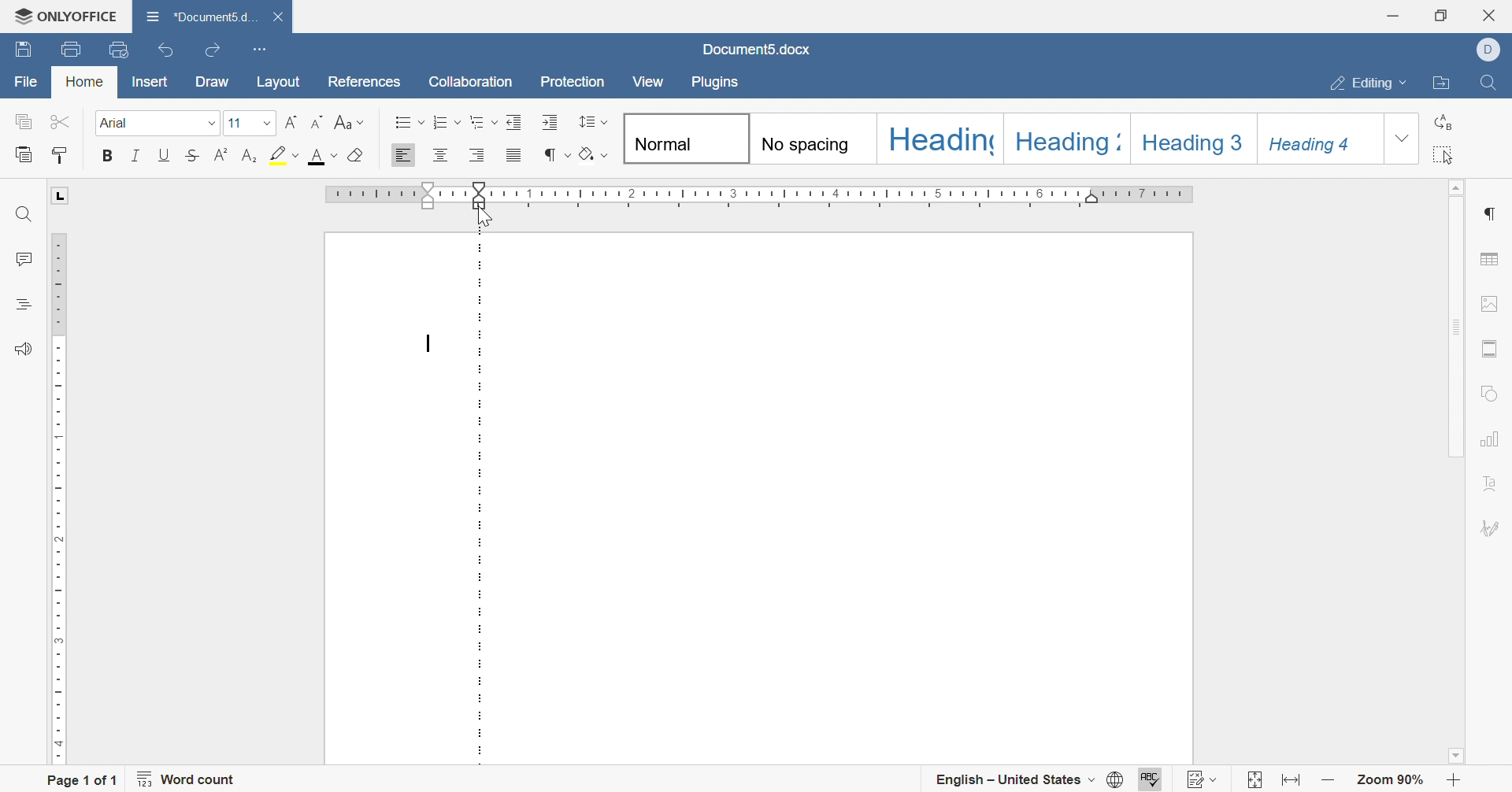  What do you see at coordinates (1454, 781) in the screenshot?
I see `zoom in` at bounding box center [1454, 781].